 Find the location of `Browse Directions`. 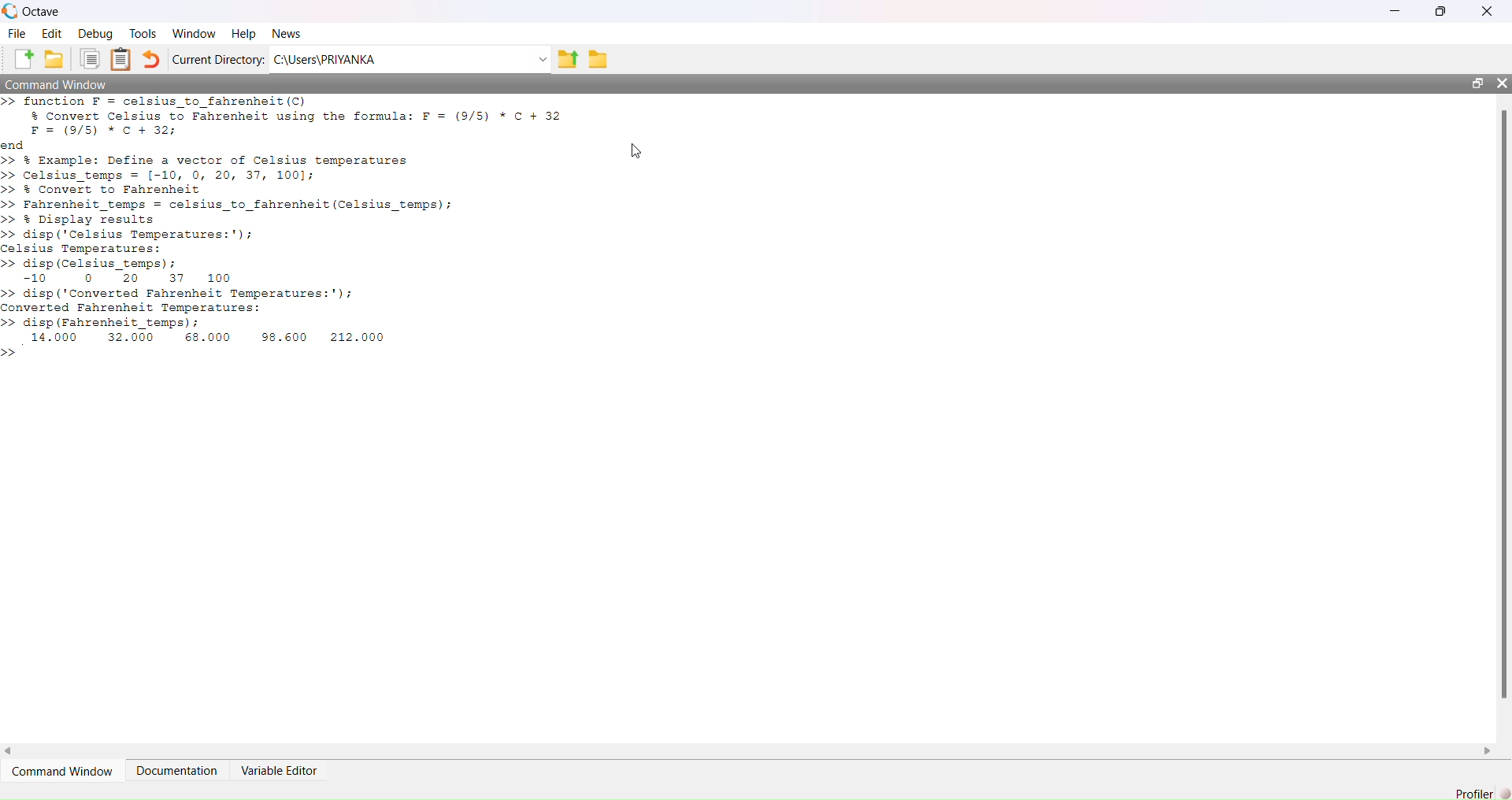

Browse Directions is located at coordinates (598, 59).